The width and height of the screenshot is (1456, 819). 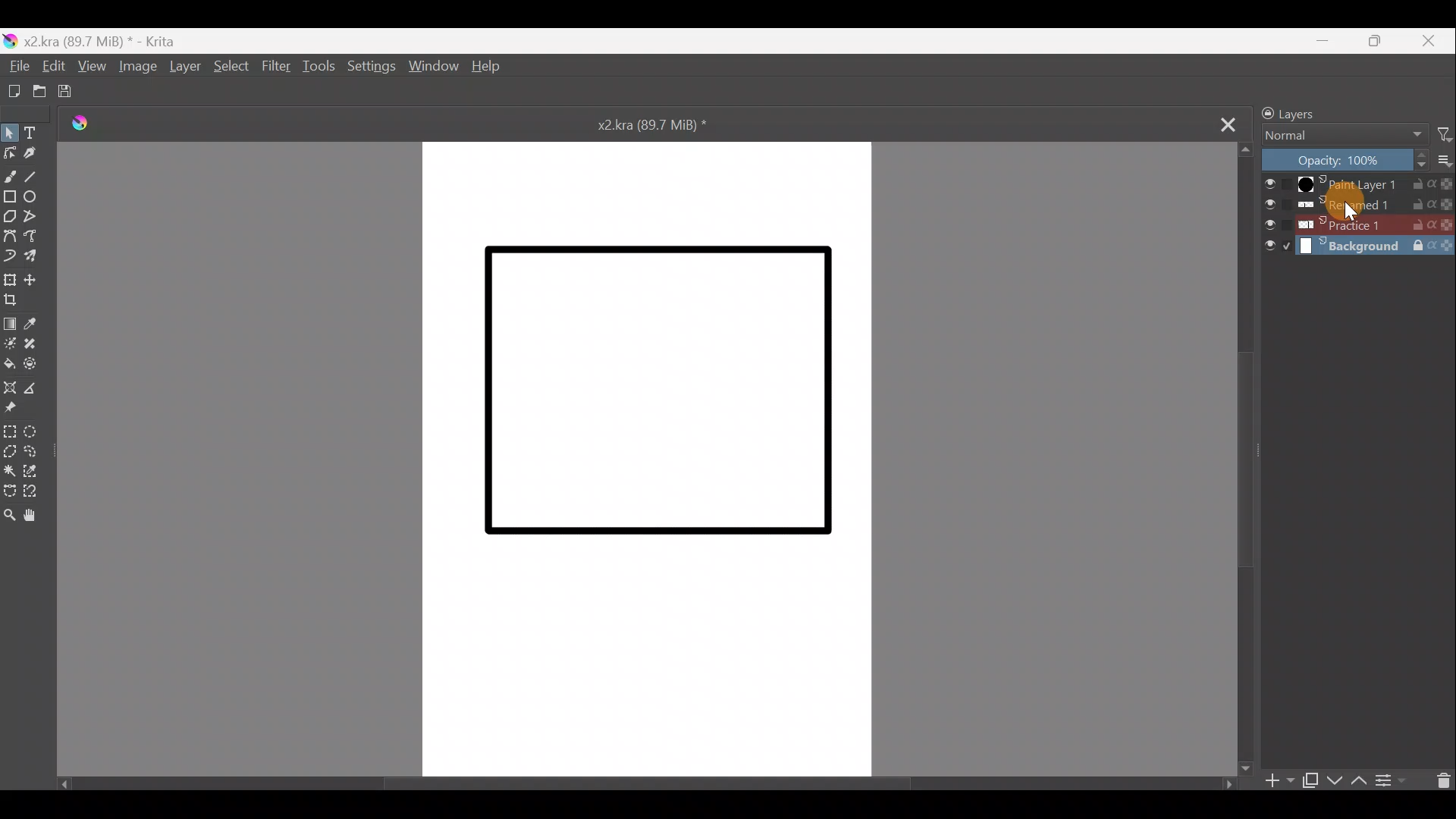 What do you see at coordinates (35, 516) in the screenshot?
I see `Pan tool` at bounding box center [35, 516].